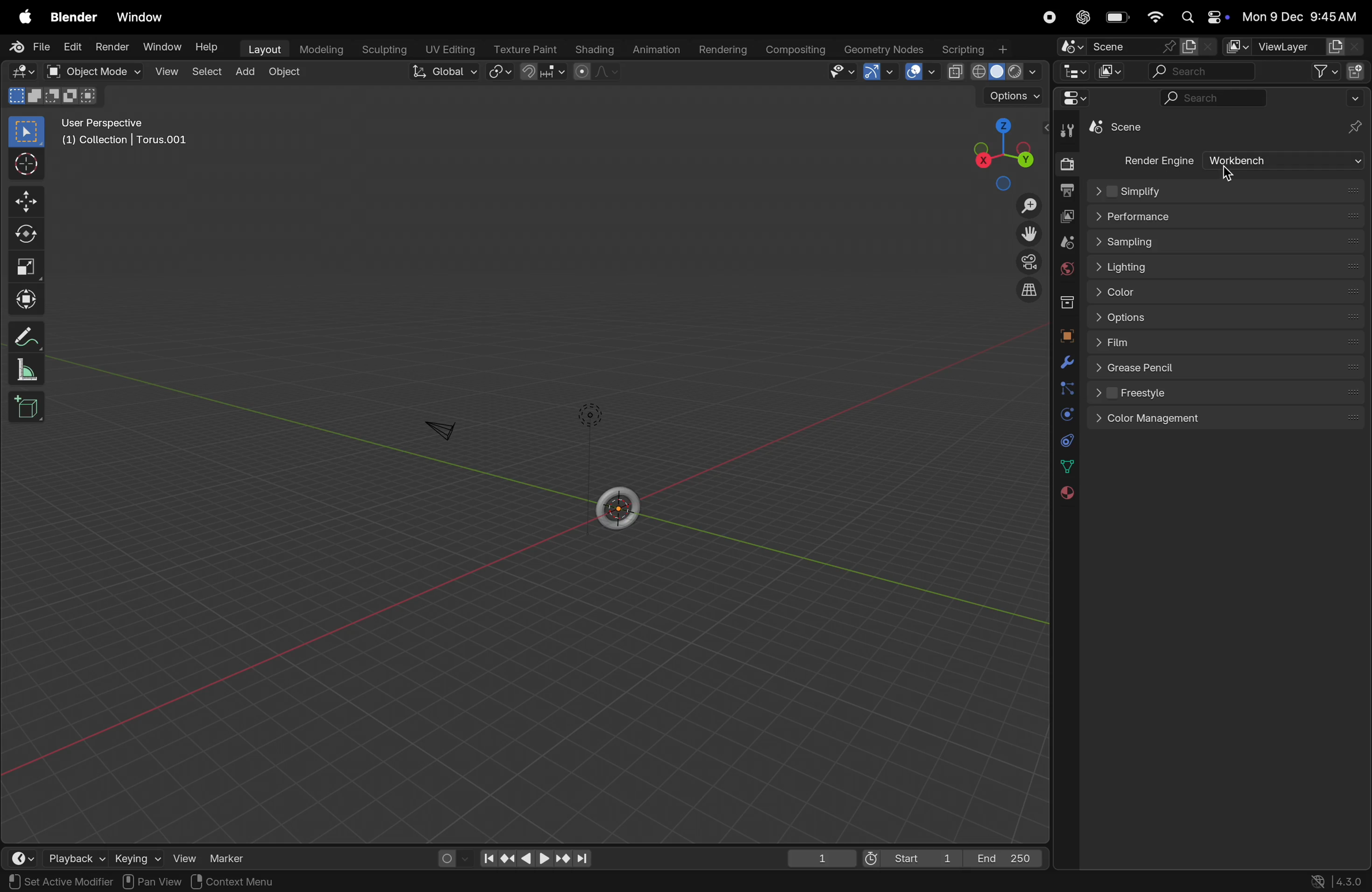 The image size is (1372, 892). I want to click on playback, so click(72, 857).